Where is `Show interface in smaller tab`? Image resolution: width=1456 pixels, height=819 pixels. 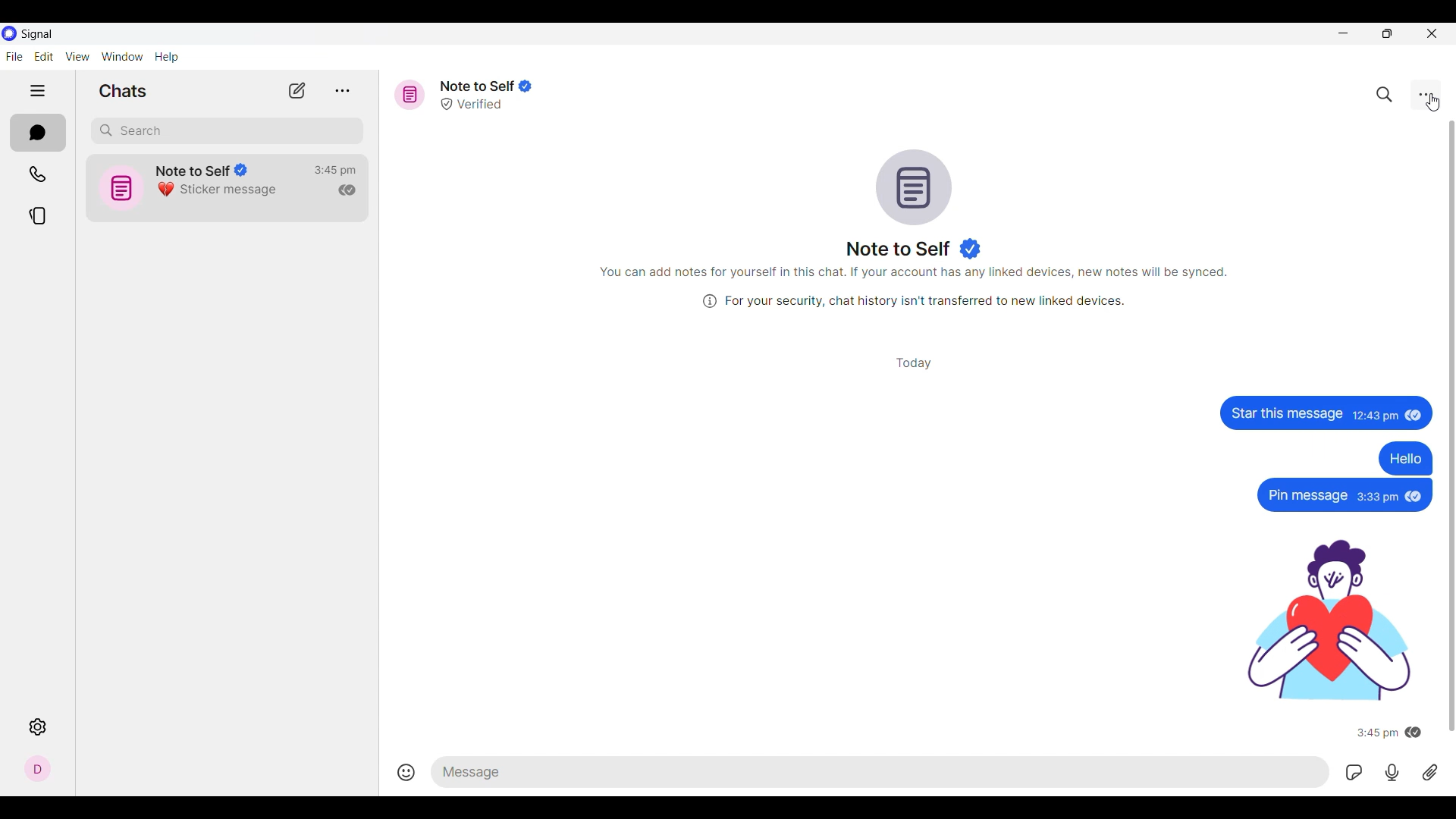 Show interface in smaller tab is located at coordinates (1386, 33).